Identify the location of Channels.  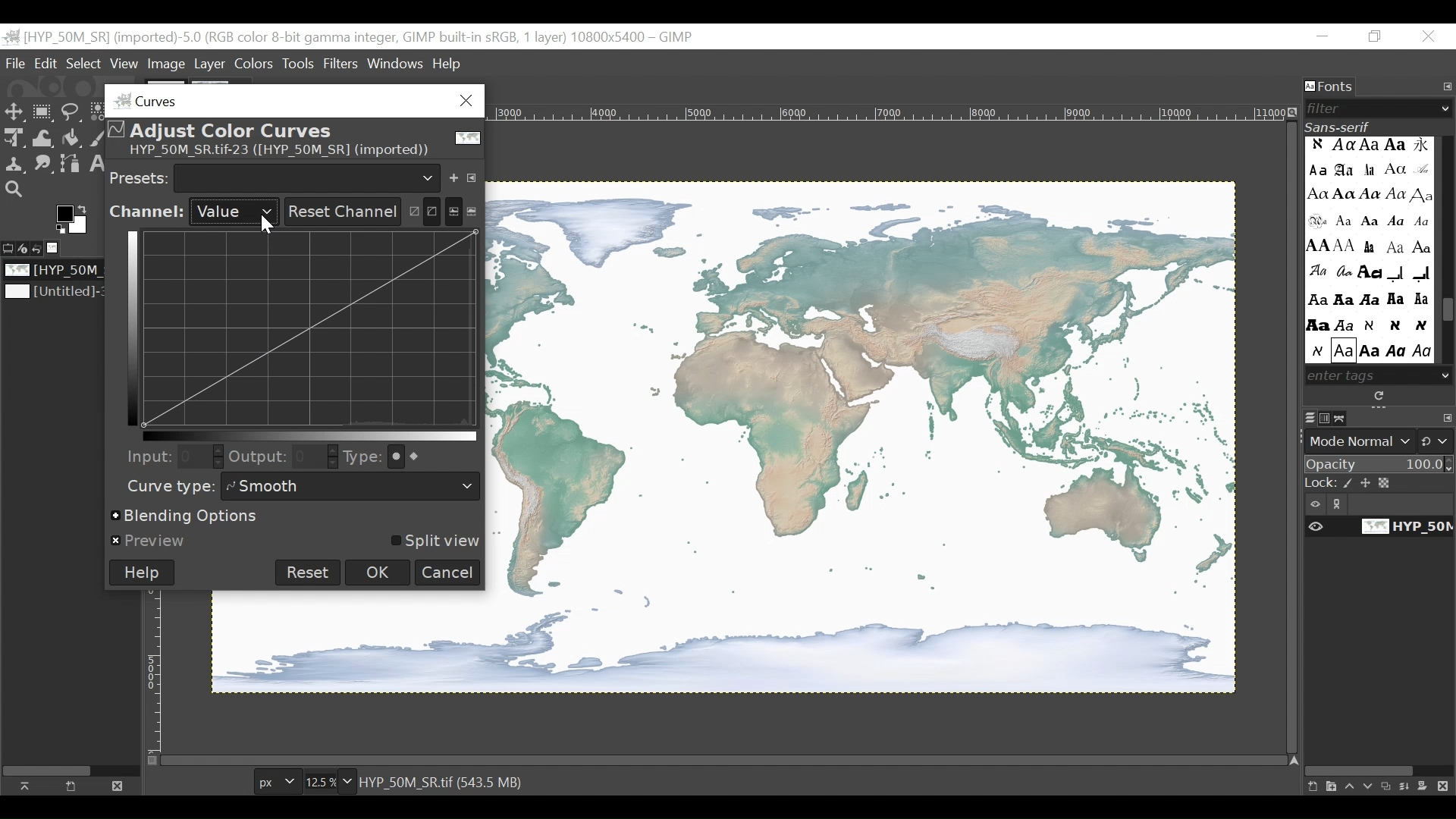
(1328, 418).